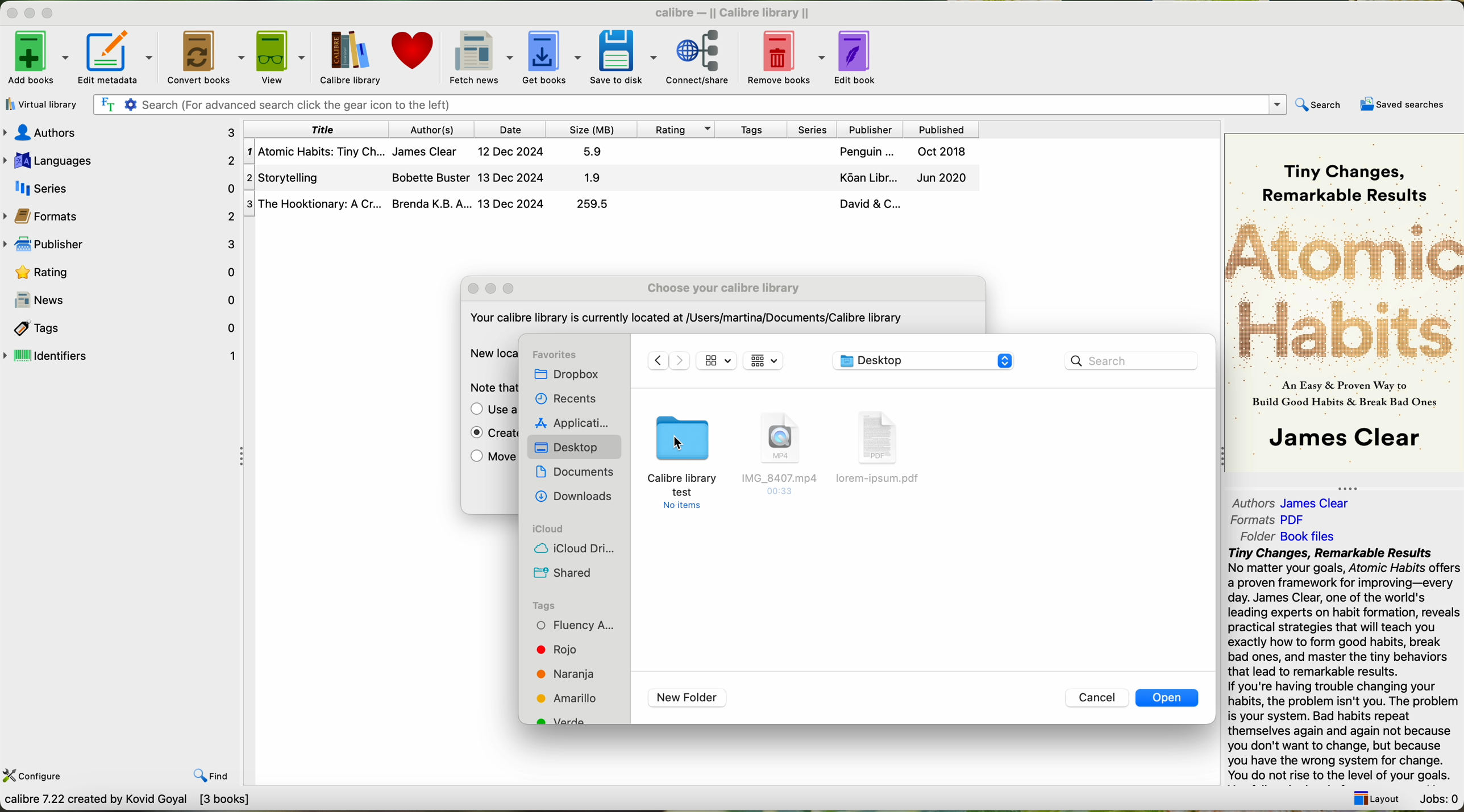  Describe the element at coordinates (207, 57) in the screenshot. I see `convert books` at that location.